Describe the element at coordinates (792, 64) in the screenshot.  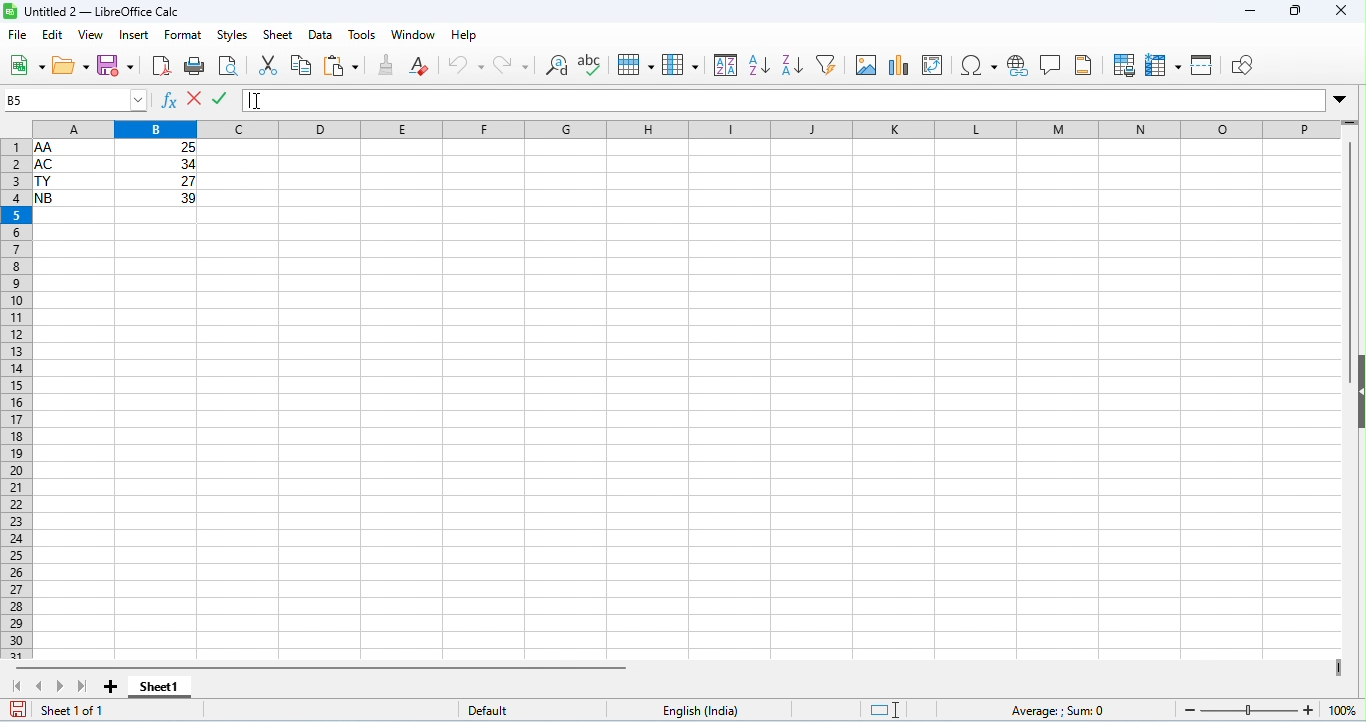
I see `sort descending` at that location.